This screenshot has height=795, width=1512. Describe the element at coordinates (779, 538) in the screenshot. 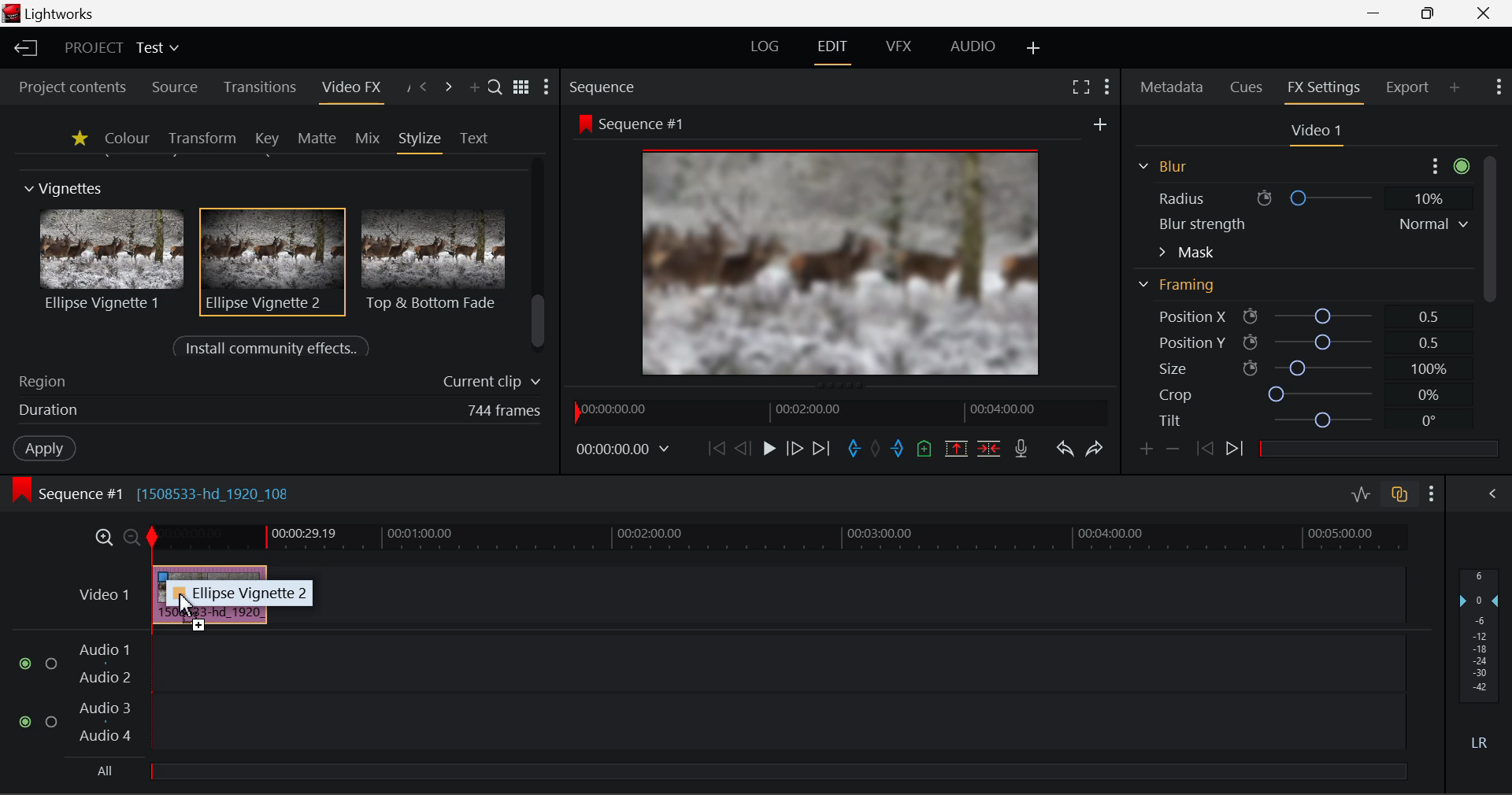

I see `Project Timeline` at that location.